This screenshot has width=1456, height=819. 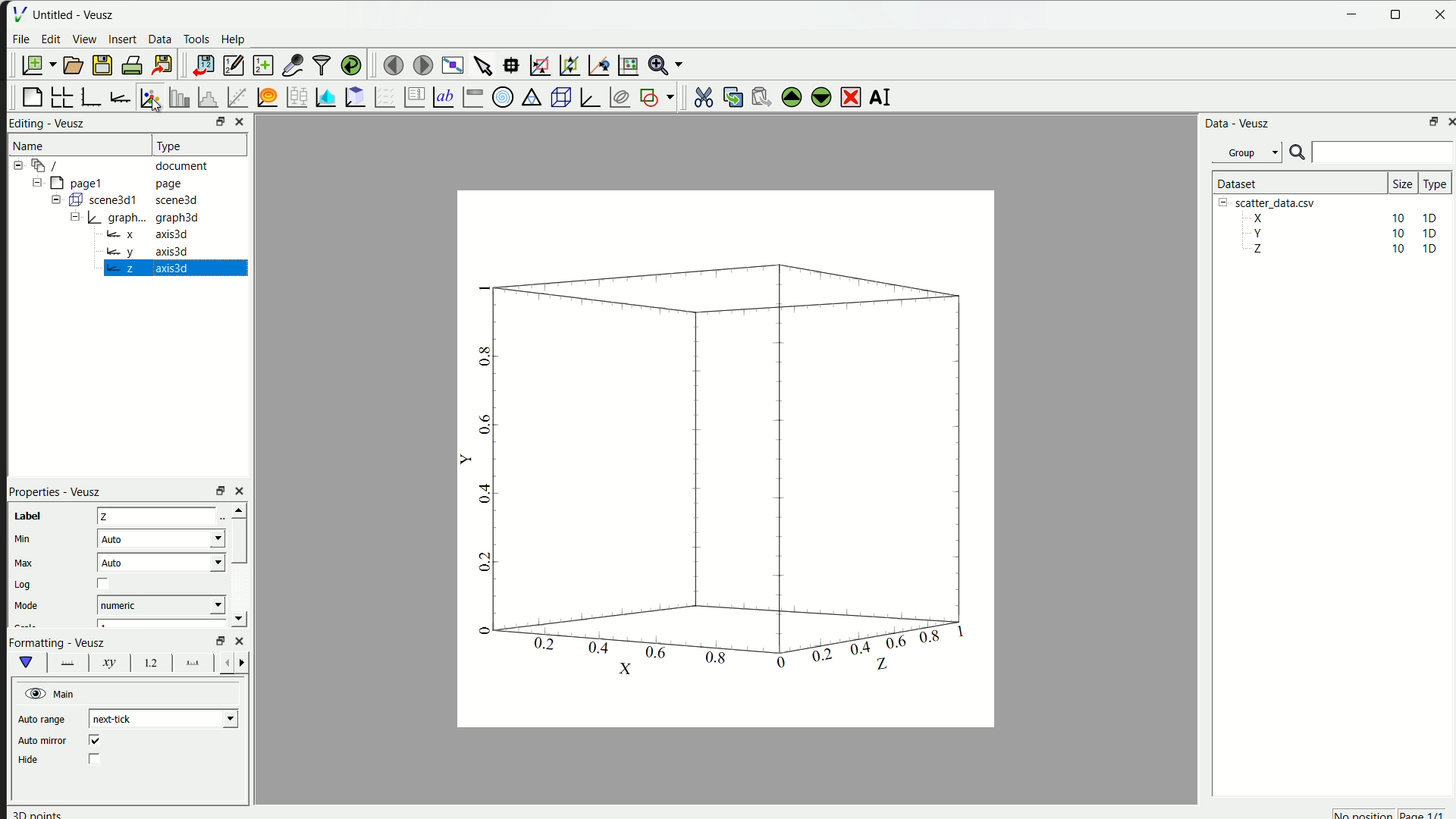 I want to click on move up the selected widget, so click(x=790, y=96).